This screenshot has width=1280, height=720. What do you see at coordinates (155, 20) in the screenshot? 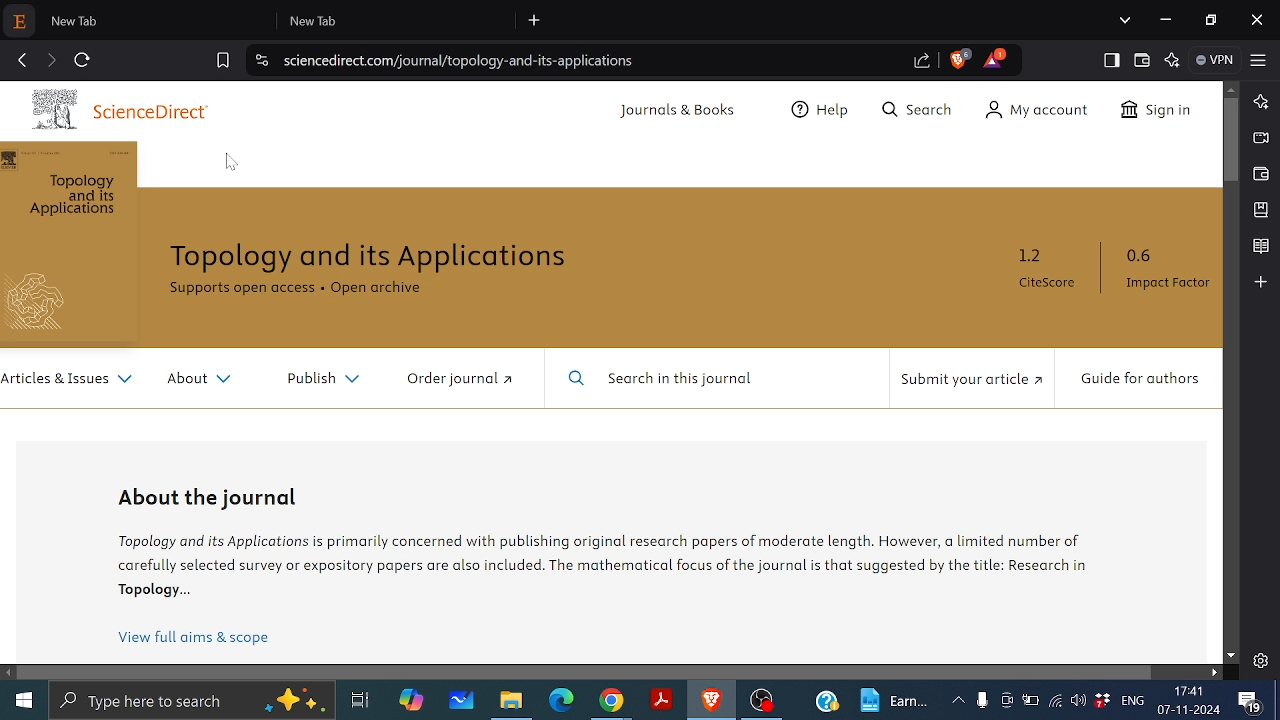
I see `First new tab` at bounding box center [155, 20].